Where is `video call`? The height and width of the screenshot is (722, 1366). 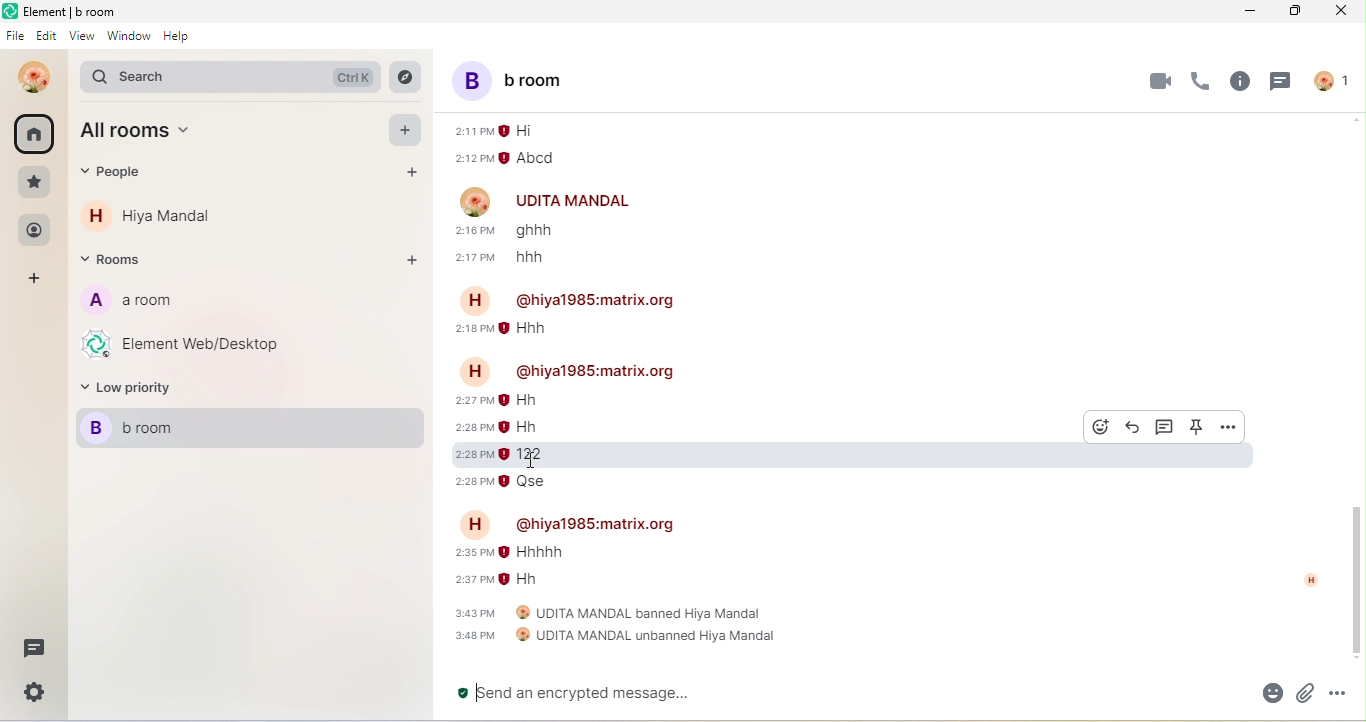 video call is located at coordinates (1156, 81).